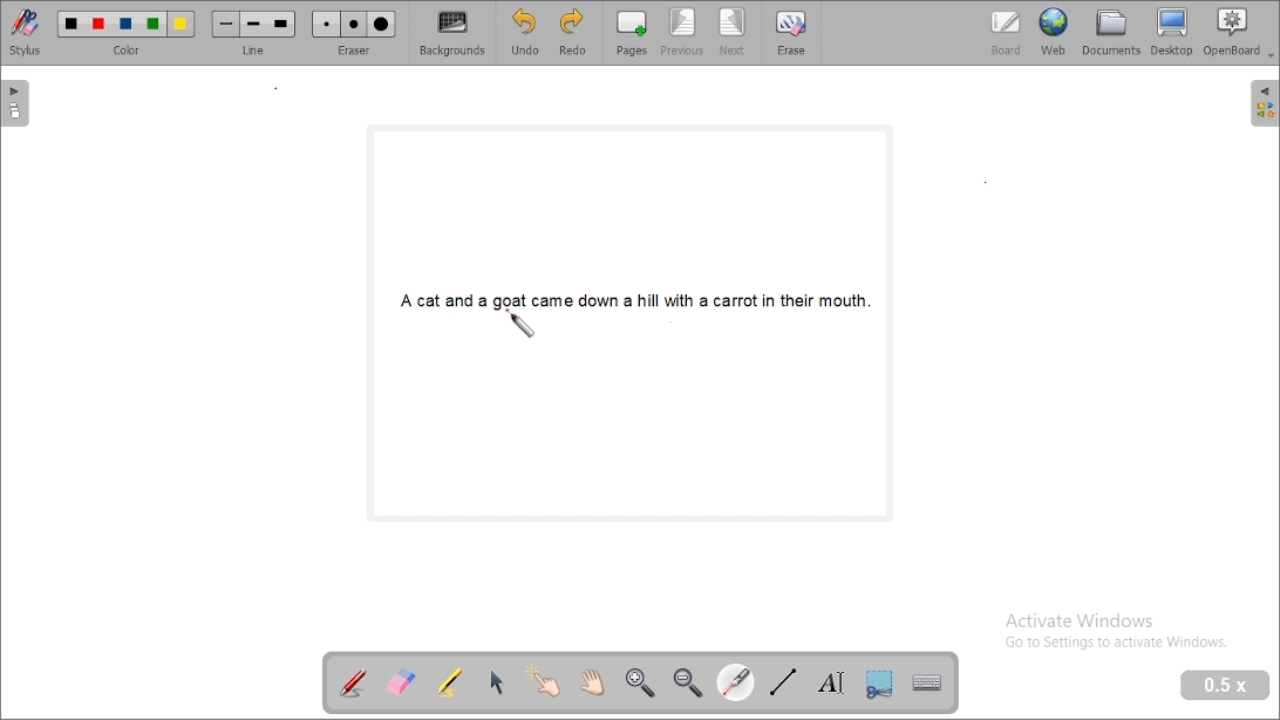  I want to click on web, so click(1054, 32).